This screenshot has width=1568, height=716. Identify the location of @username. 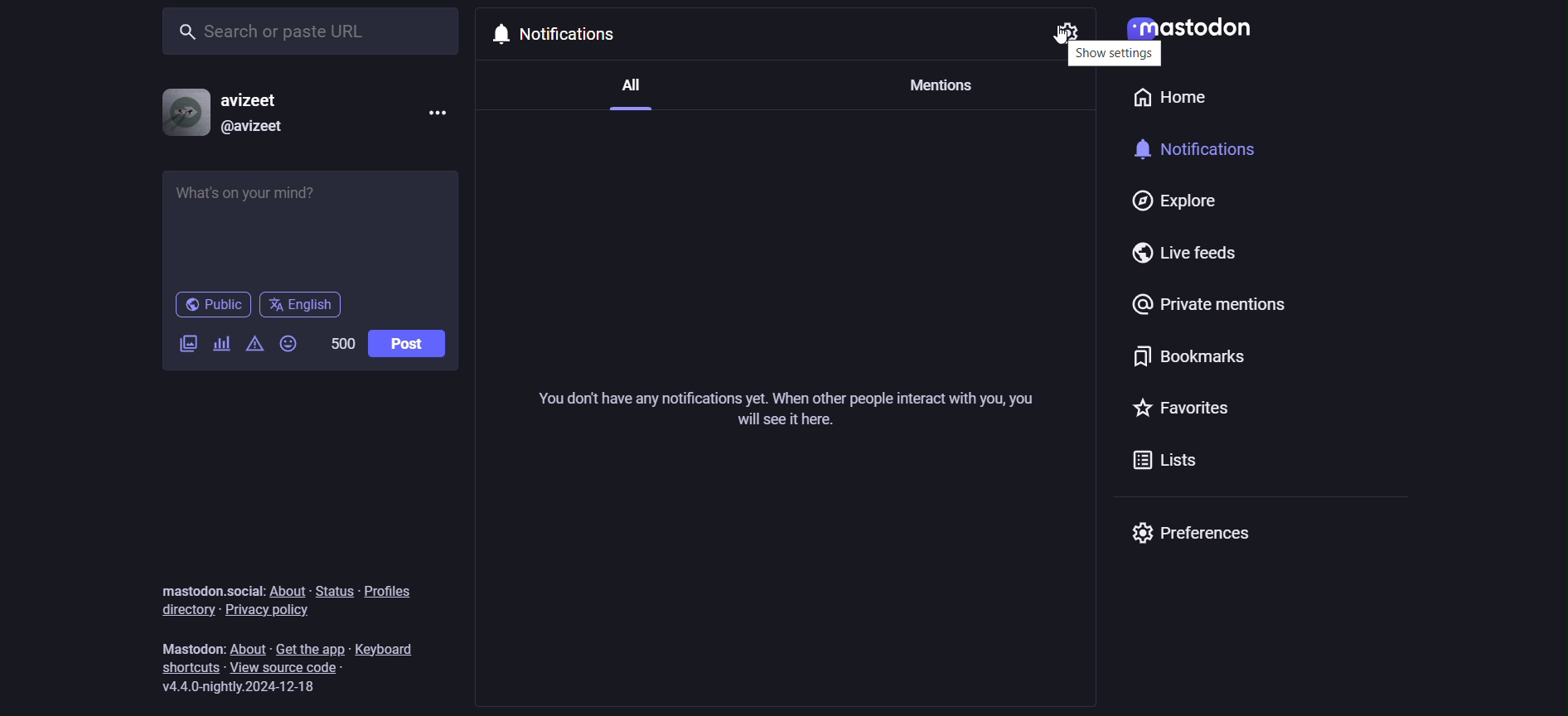
(254, 126).